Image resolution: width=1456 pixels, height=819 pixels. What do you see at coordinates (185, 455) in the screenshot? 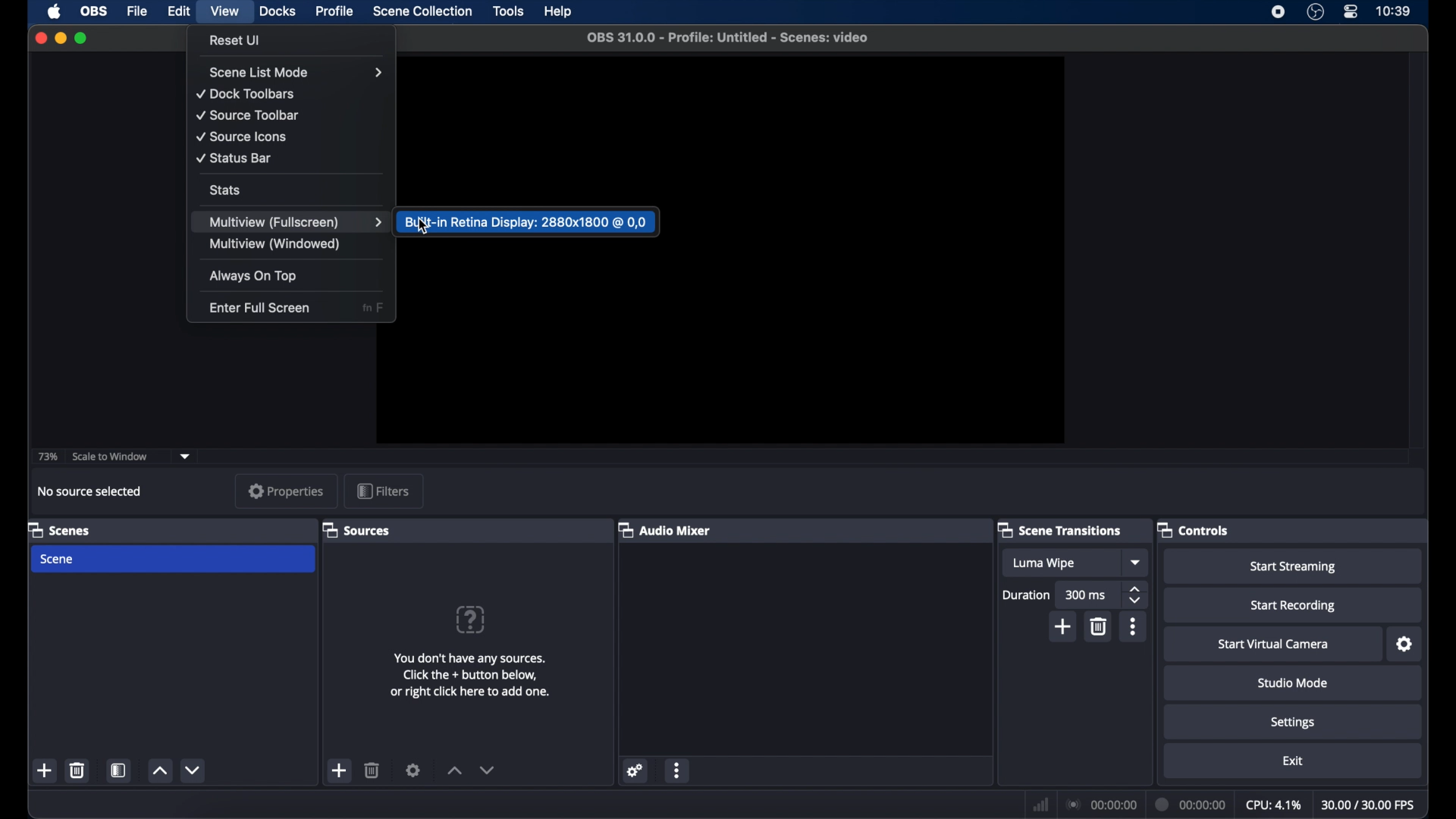
I see `dropdown` at bounding box center [185, 455].